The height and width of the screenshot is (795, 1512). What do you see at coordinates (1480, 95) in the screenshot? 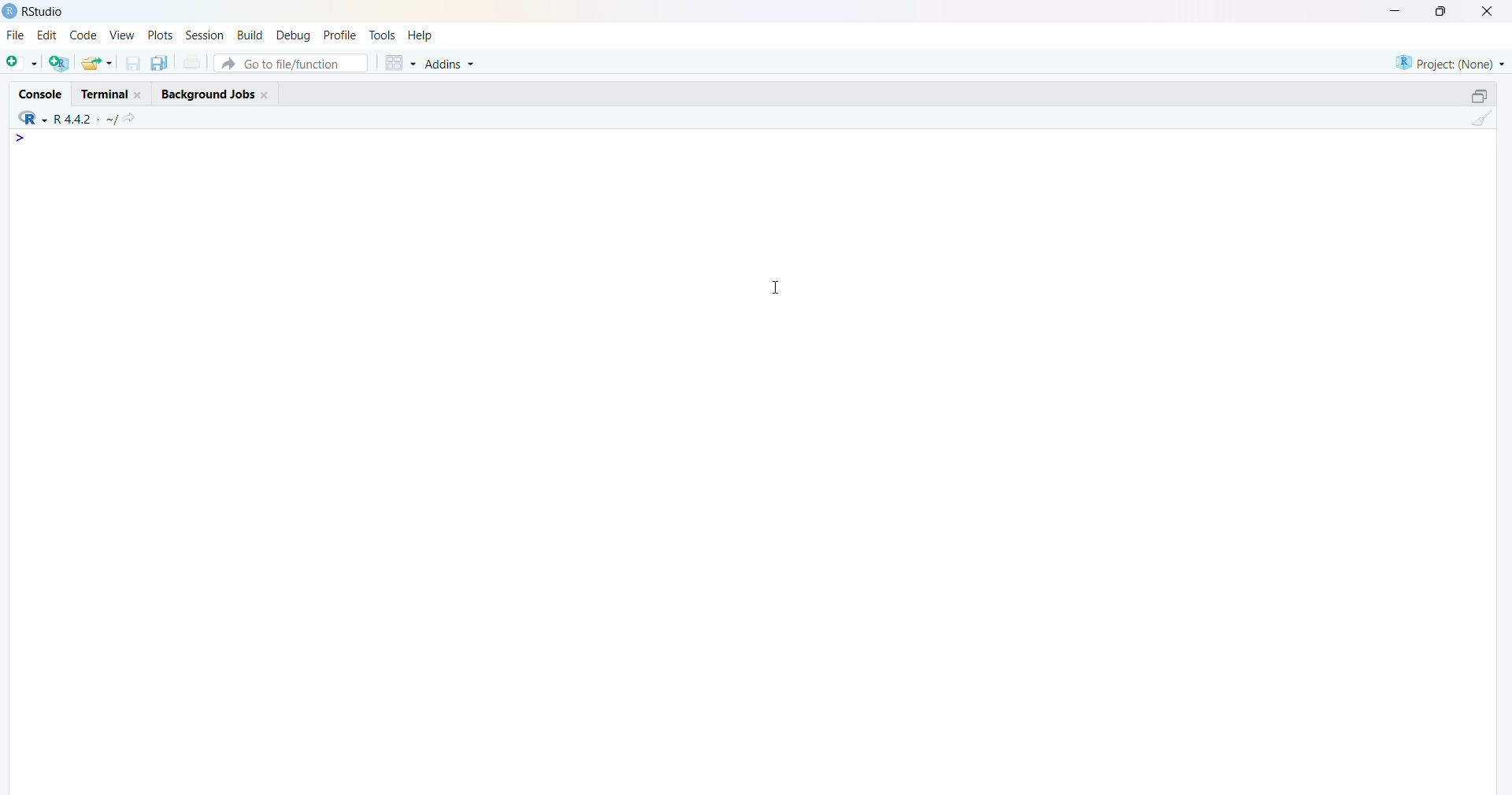
I see `open in separate window` at bounding box center [1480, 95].